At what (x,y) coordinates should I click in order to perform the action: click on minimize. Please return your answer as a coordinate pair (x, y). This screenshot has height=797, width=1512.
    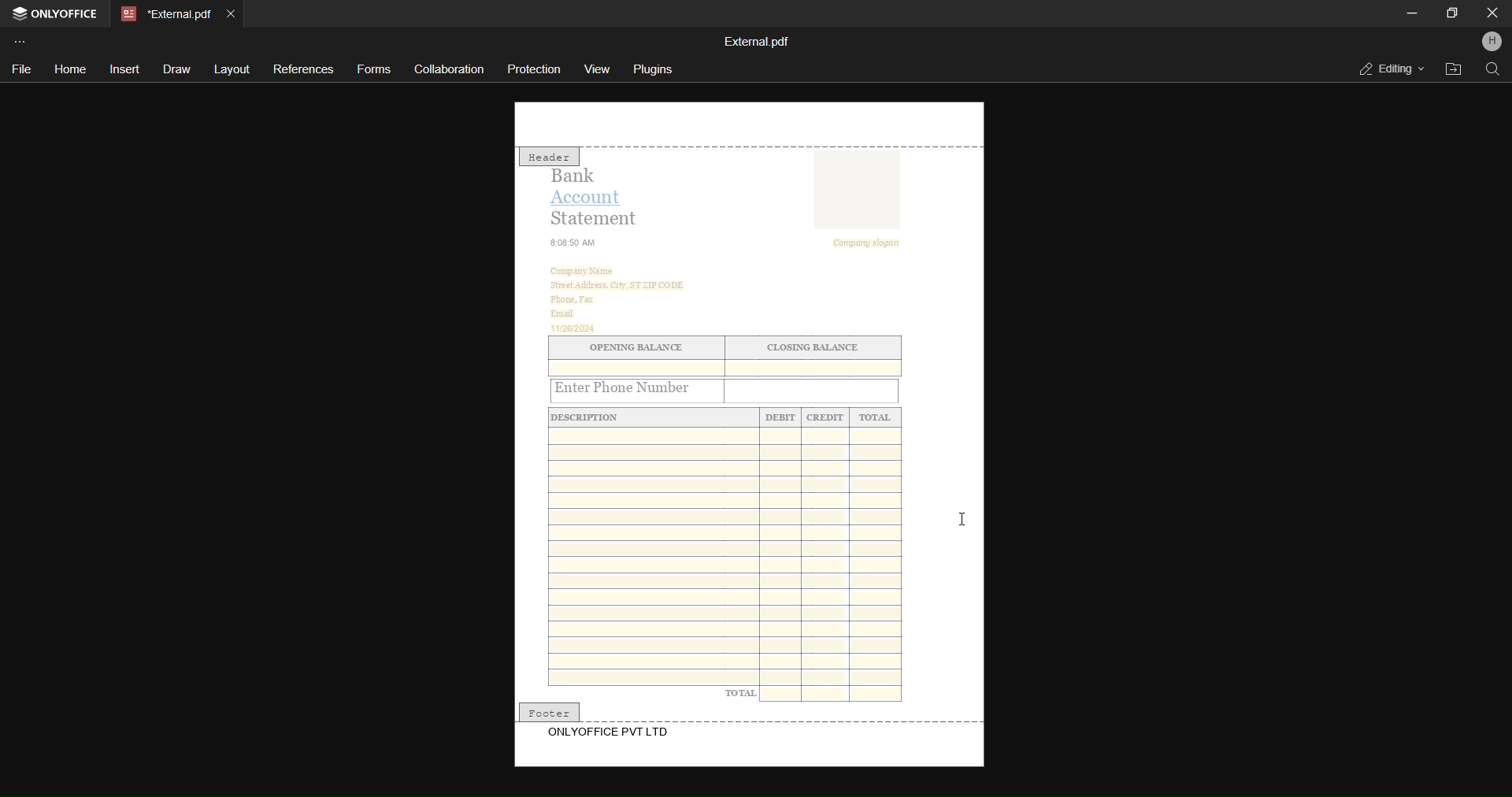
    Looking at the image, I should click on (1412, 13).